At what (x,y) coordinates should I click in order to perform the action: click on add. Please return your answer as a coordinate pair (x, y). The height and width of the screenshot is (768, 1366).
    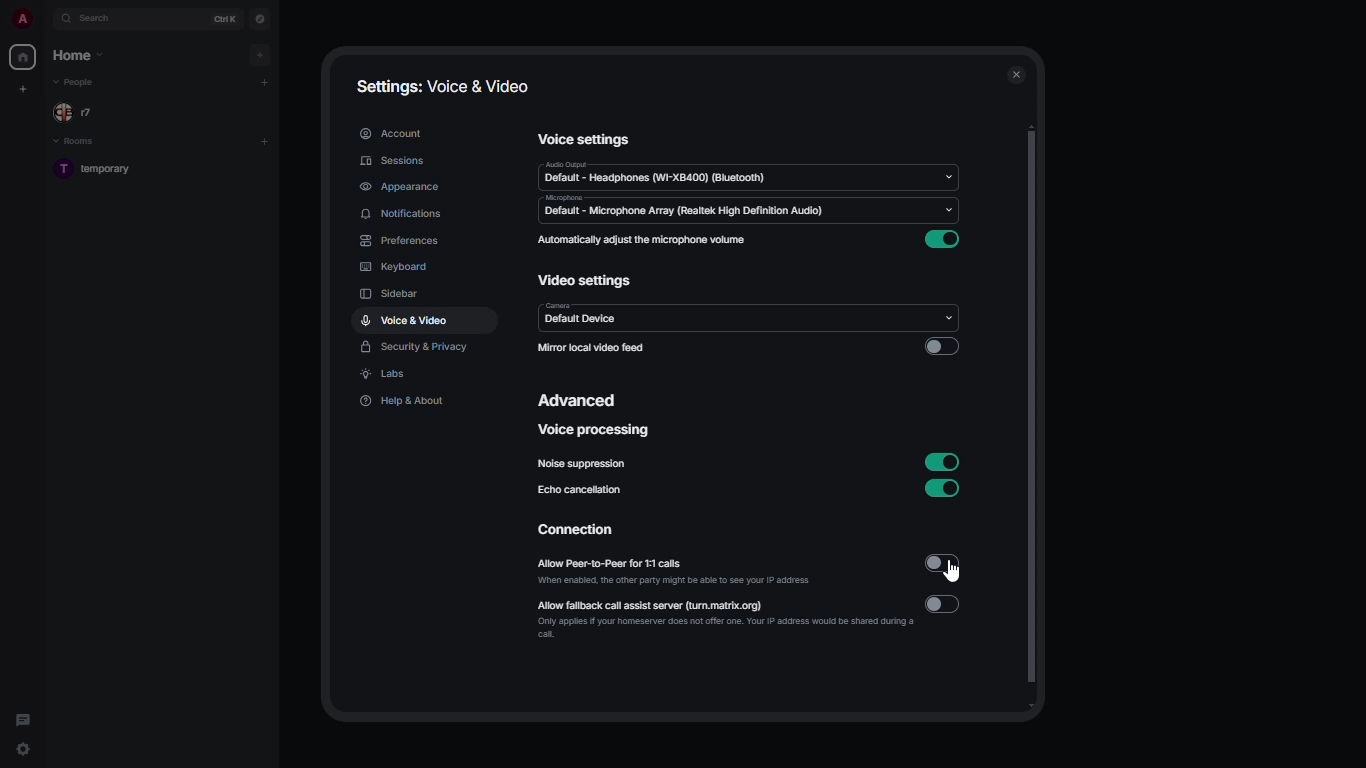
    Looking at the image, I should click on (261, 53).